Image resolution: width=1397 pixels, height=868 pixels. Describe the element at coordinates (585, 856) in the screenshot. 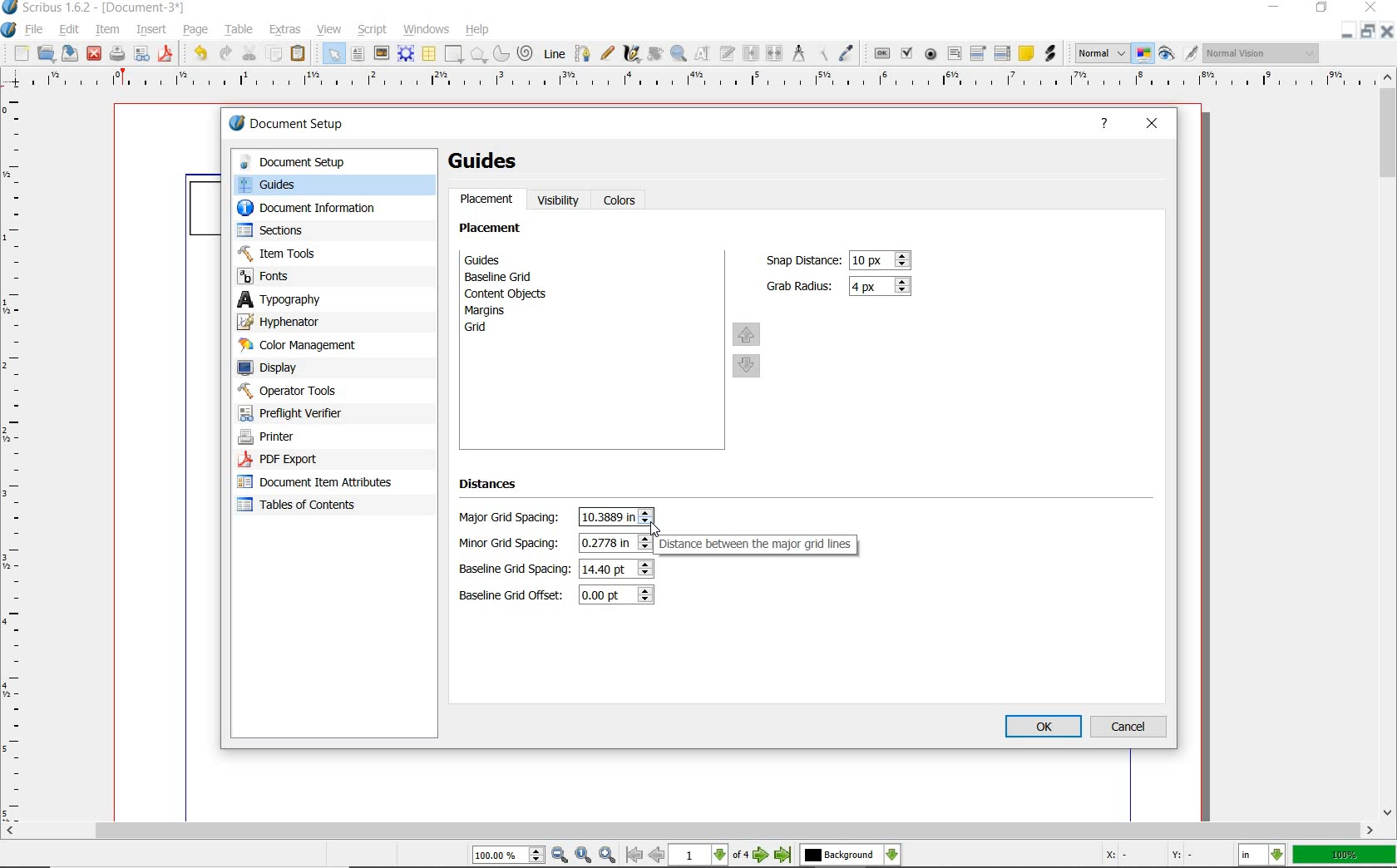

I see `zoom to 100%` at that location.